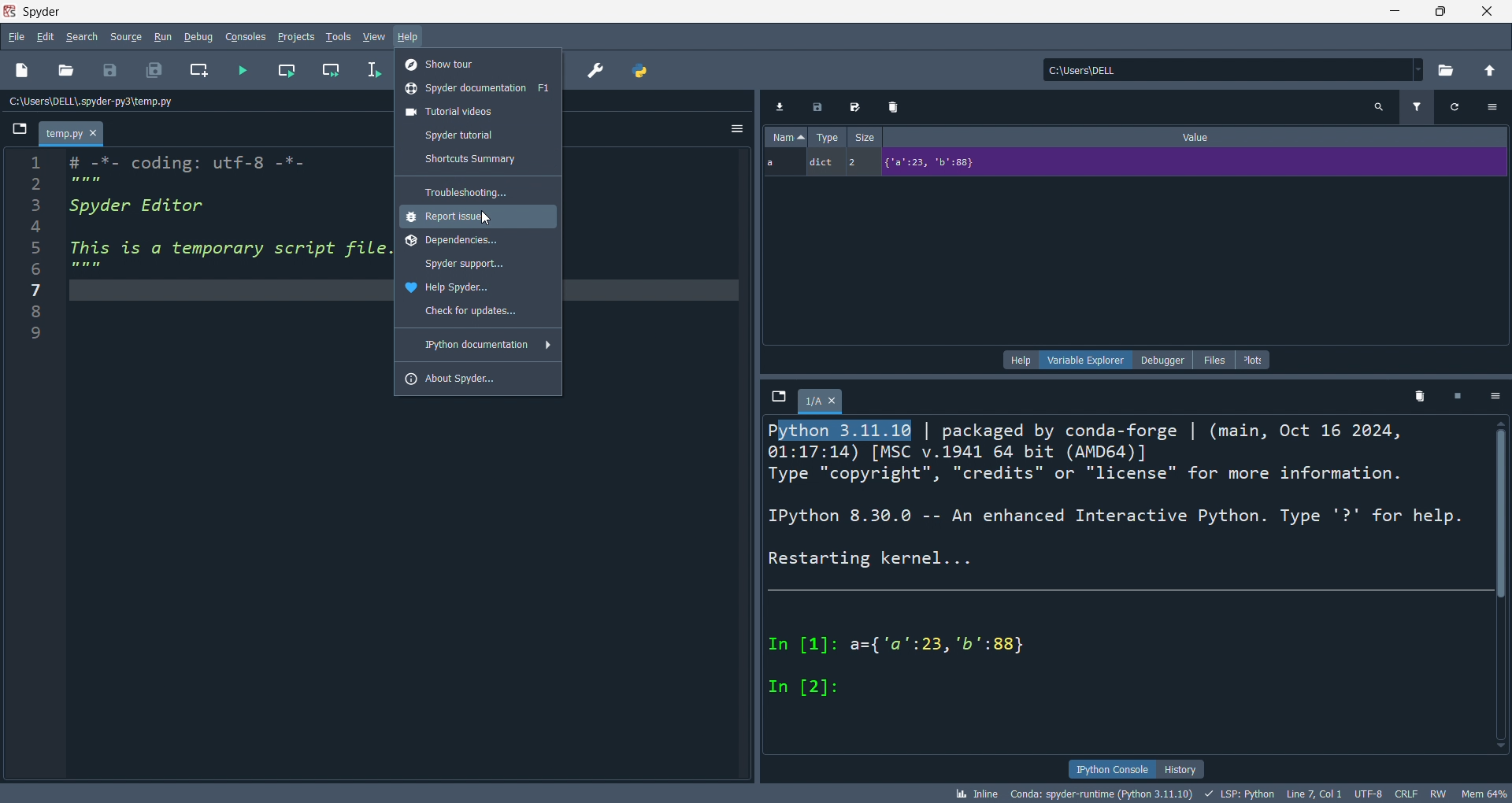  I want to click on Hemberger settings, so click(737, 128).